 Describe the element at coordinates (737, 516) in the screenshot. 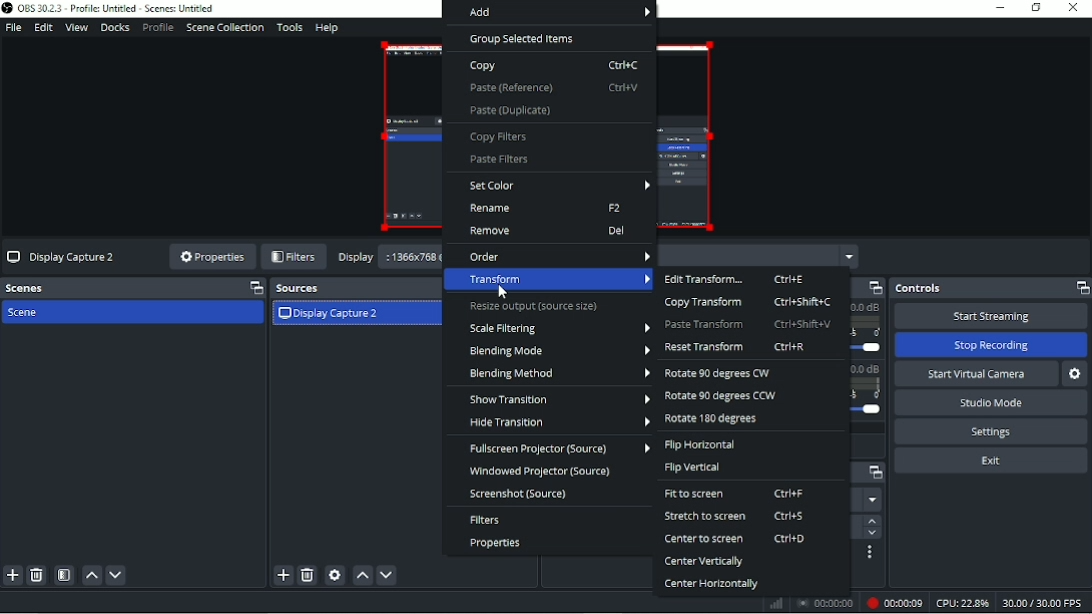

I see `Stretch to screen` at that location.